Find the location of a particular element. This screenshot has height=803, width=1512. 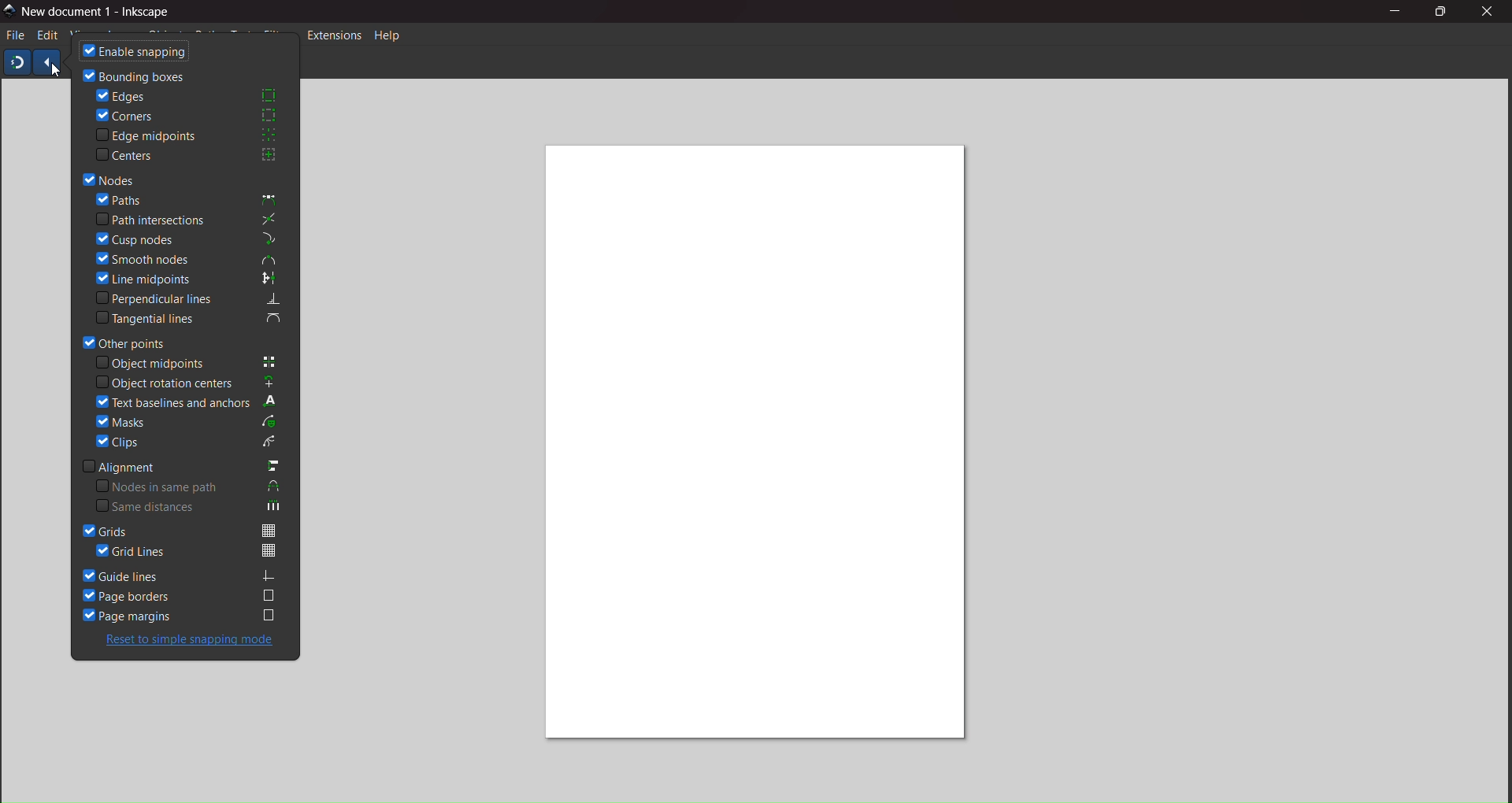

corners is located at coordinates (195, 117).